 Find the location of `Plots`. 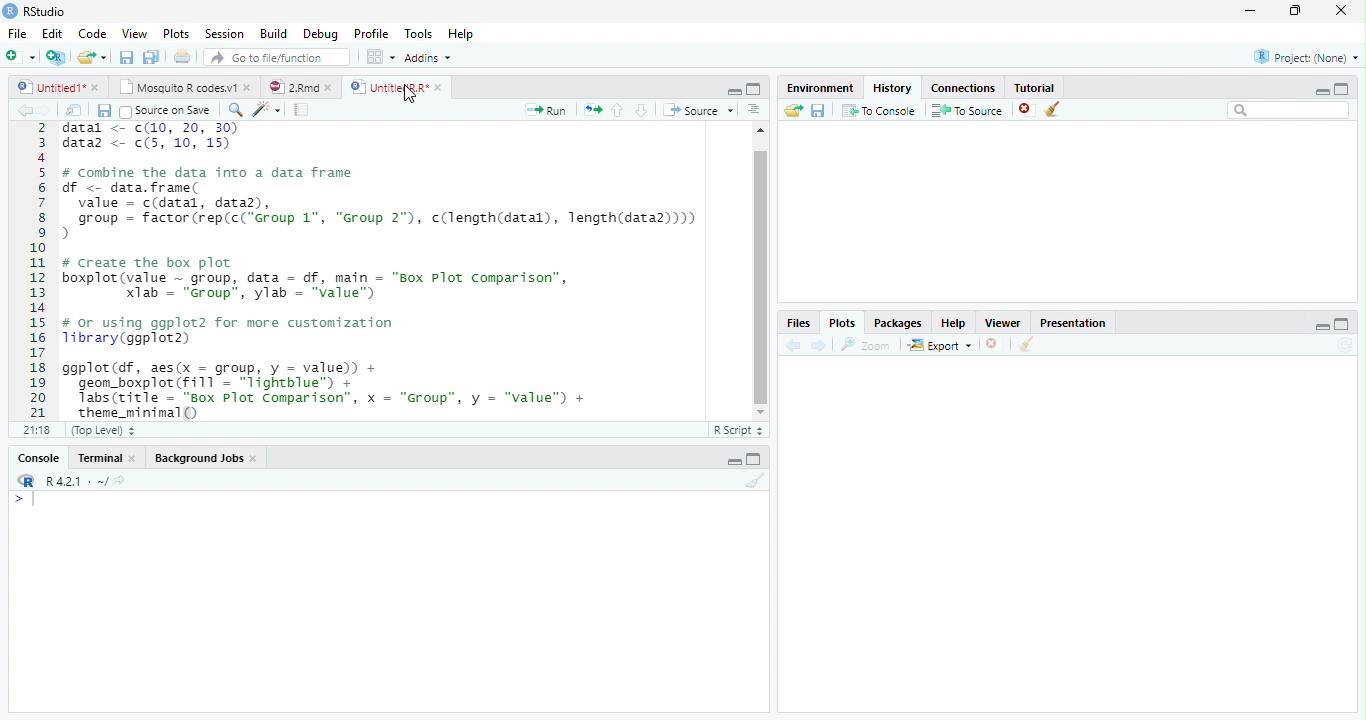

Plots is located at coordinates (842, 323).